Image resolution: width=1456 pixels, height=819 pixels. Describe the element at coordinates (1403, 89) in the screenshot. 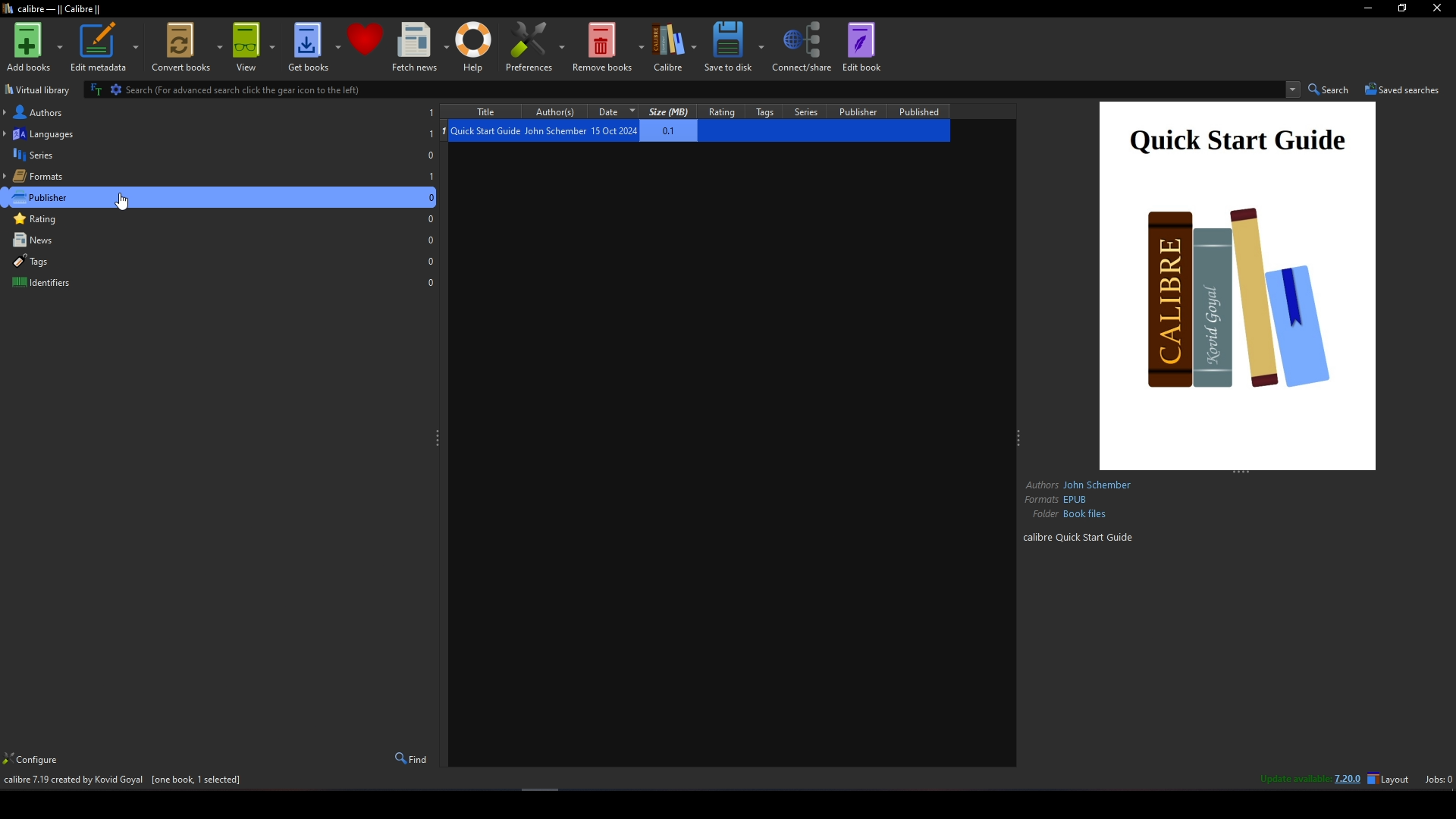

I see `Saved searches` at that location.